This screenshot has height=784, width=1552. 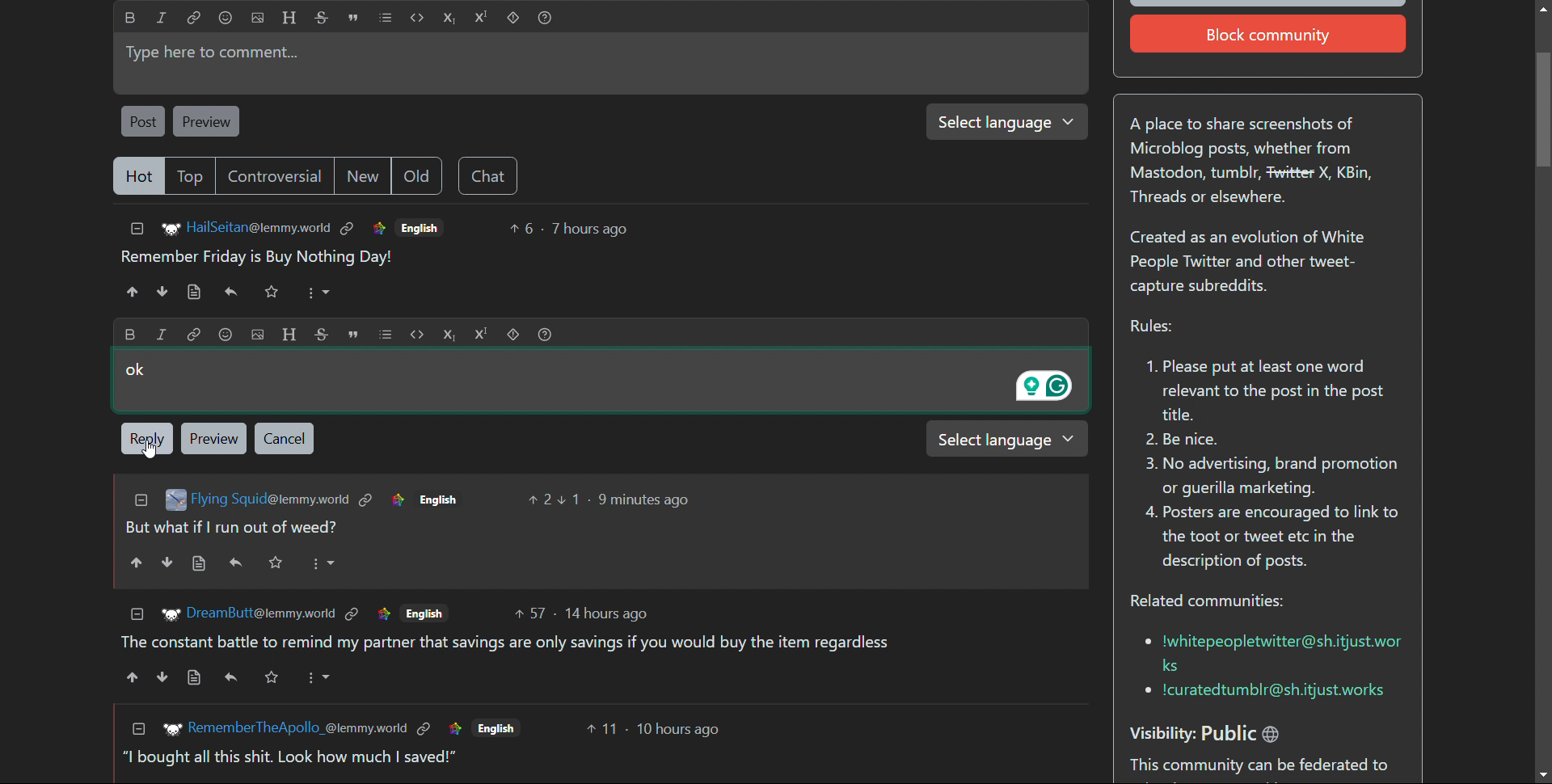 I want to click on 2. Be nice., so click(x=1191, y=440).